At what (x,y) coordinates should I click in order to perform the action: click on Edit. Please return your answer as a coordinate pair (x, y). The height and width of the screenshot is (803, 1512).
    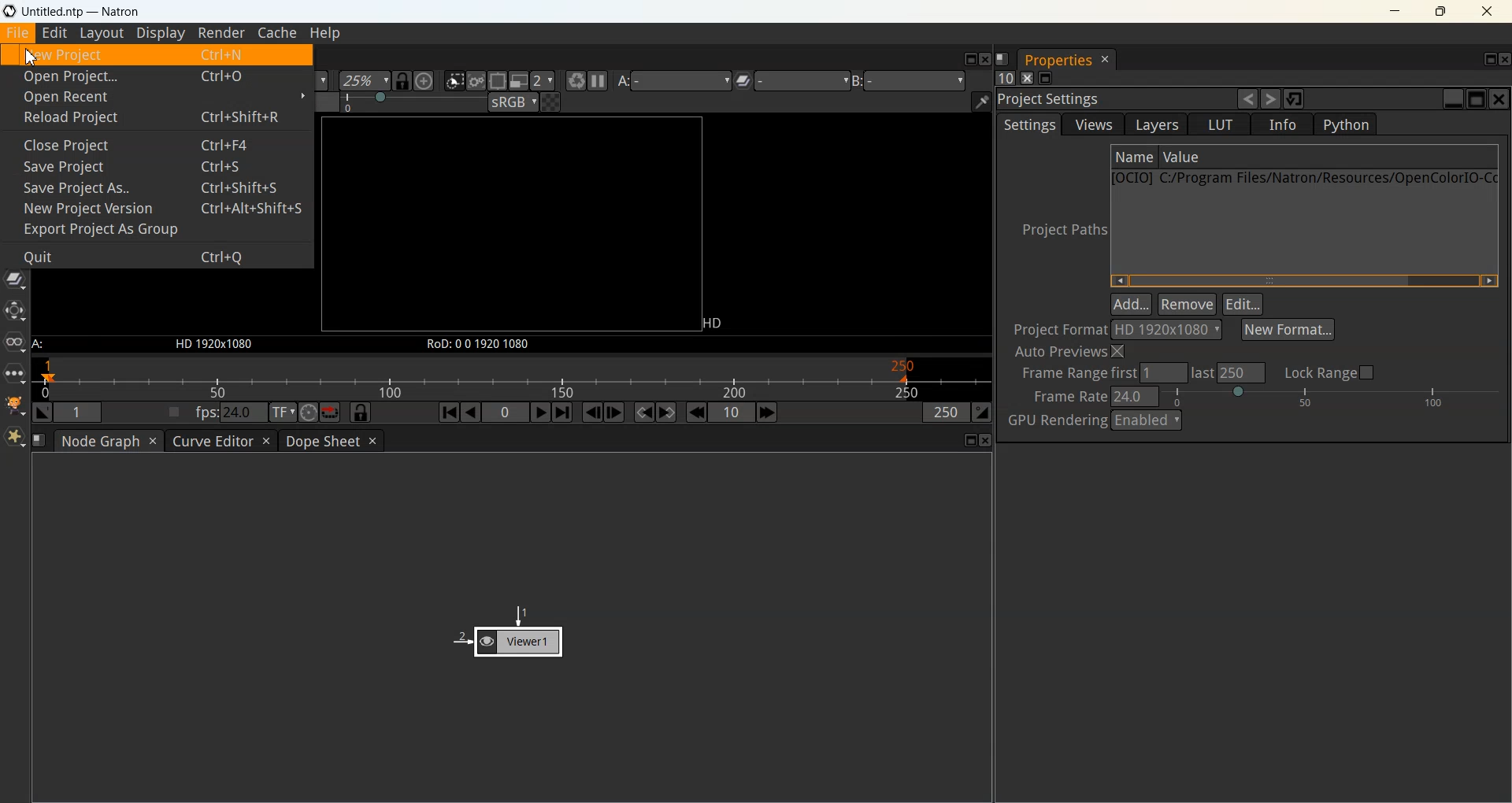
    Looking at the image, I should click on (1243, 304).